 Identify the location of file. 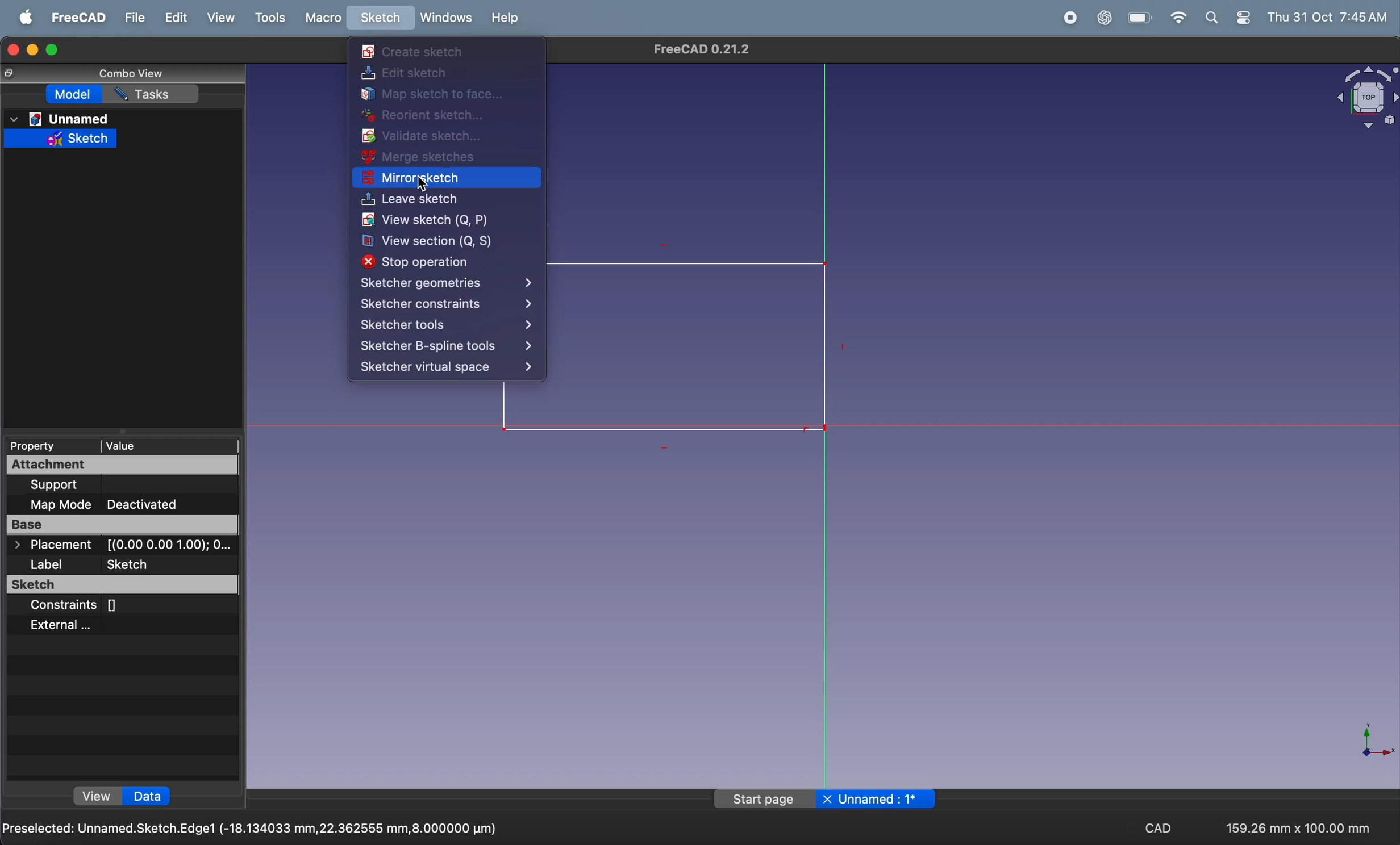
(134, 20).